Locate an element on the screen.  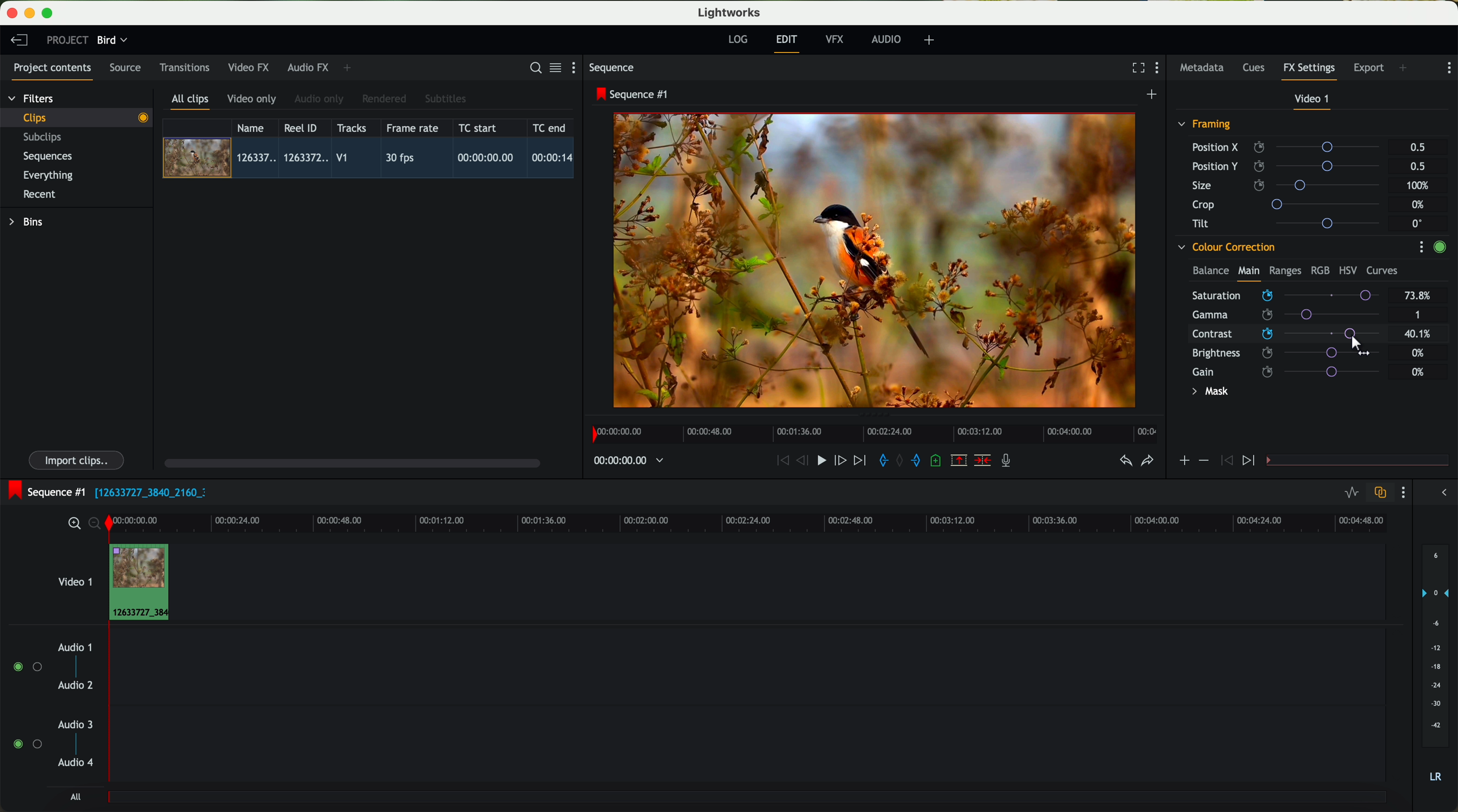
enable audio is located at coordinates (27, 744).